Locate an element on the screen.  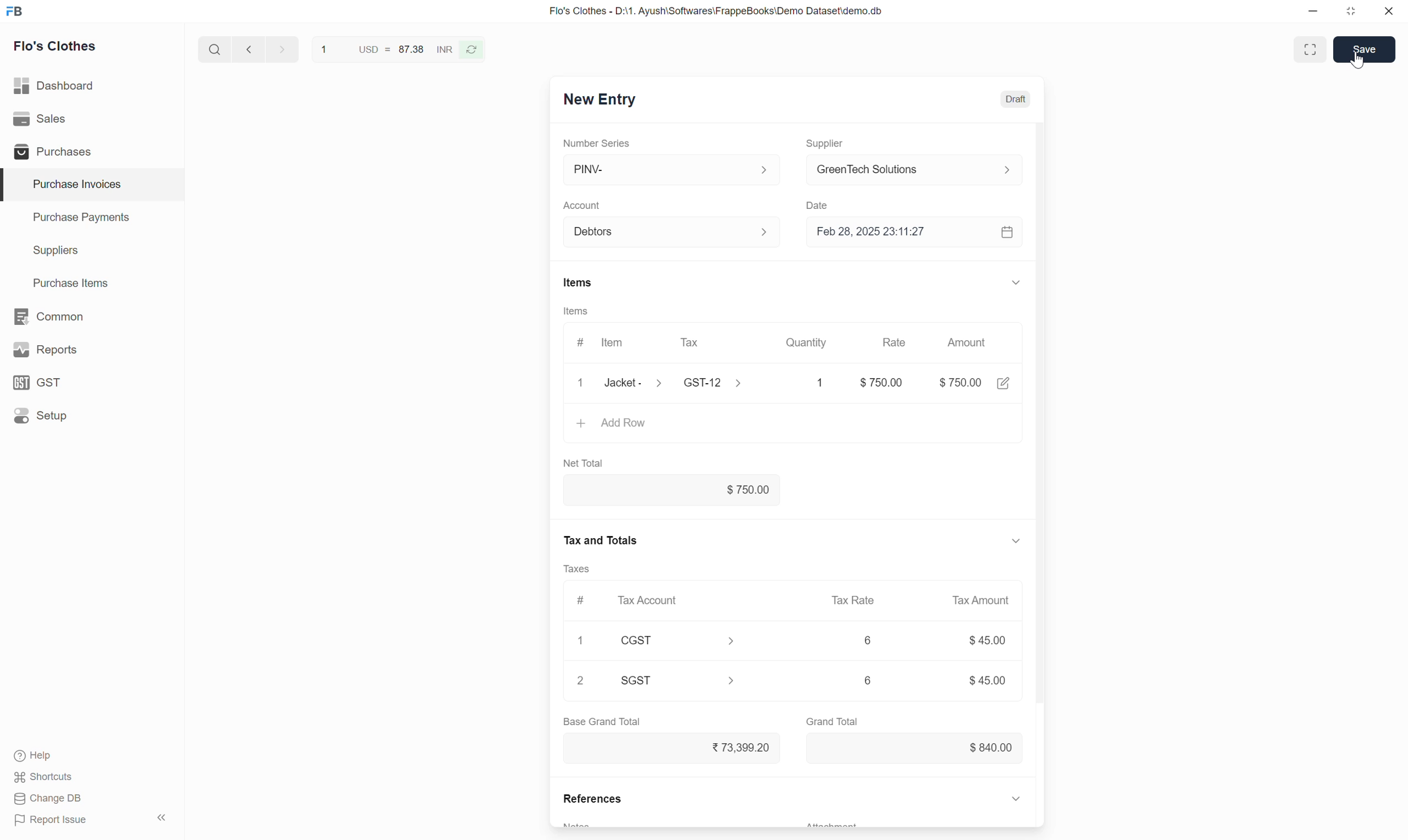
$ 102.99 is located at coordinates (960, 383).